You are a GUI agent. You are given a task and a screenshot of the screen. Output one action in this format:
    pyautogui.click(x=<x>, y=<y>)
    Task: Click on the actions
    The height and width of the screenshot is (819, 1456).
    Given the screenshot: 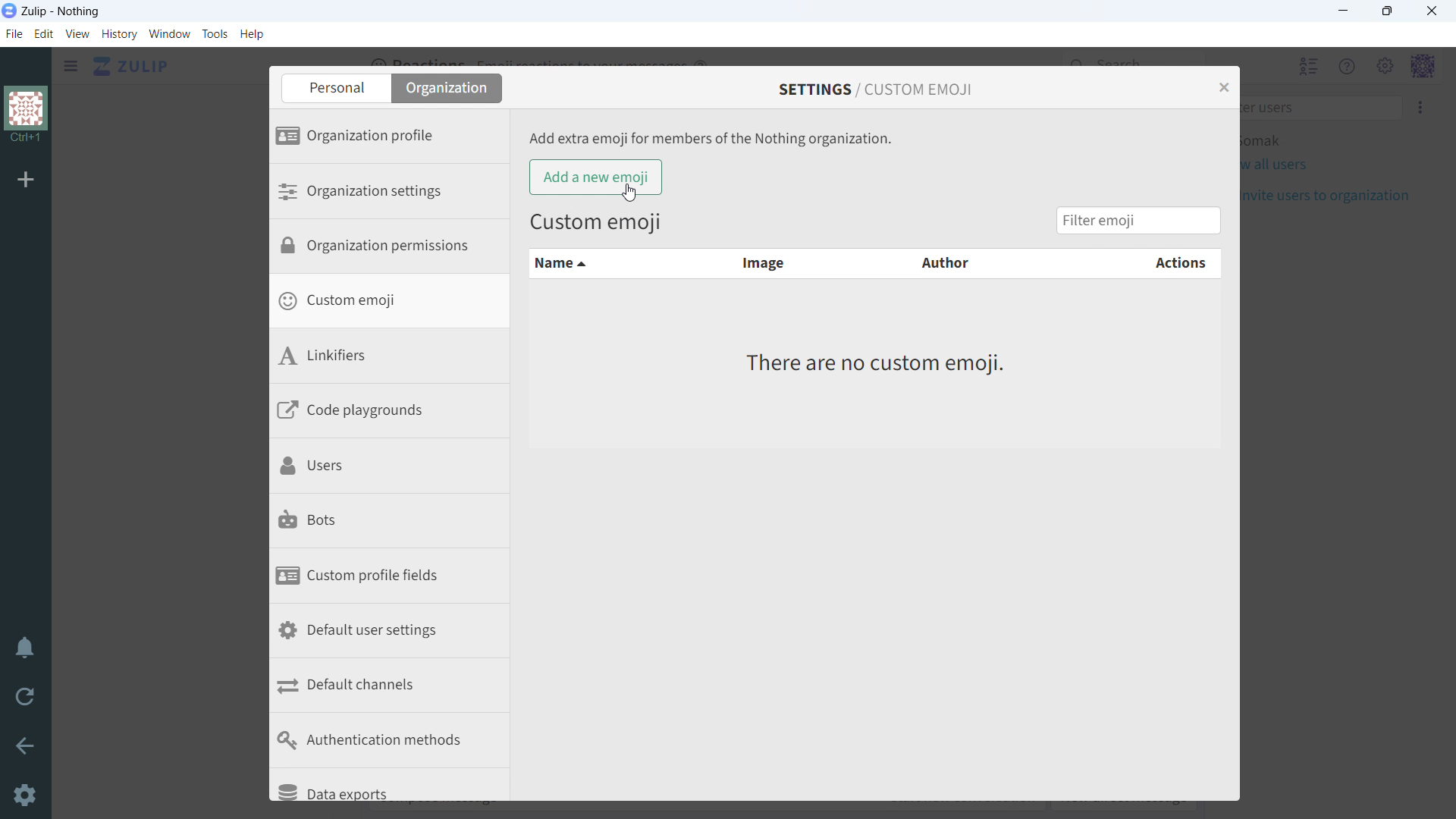 What is the action you would take?
    pyautogui.click(x=1127, y=264)
    